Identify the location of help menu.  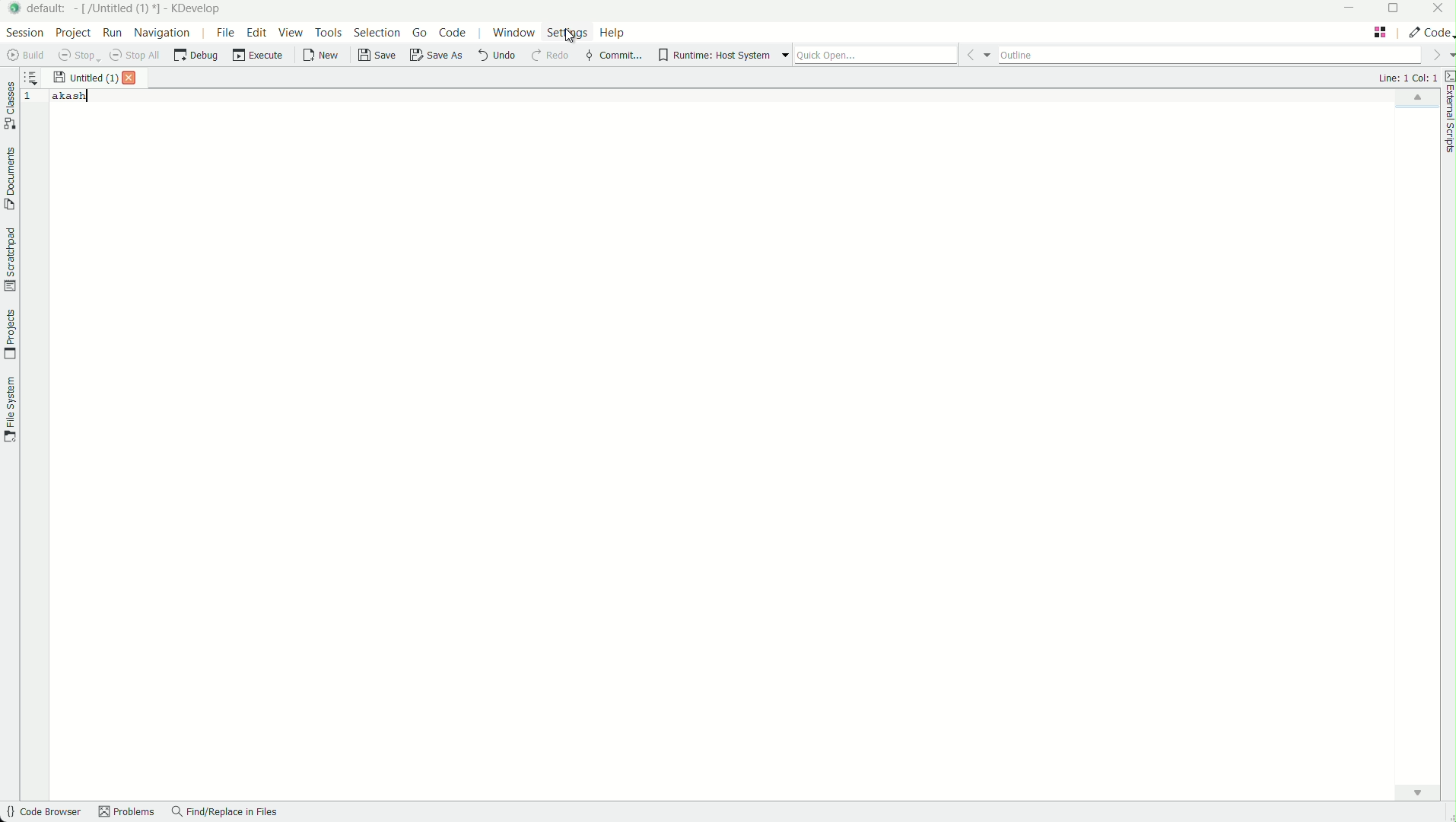
(614, 34).